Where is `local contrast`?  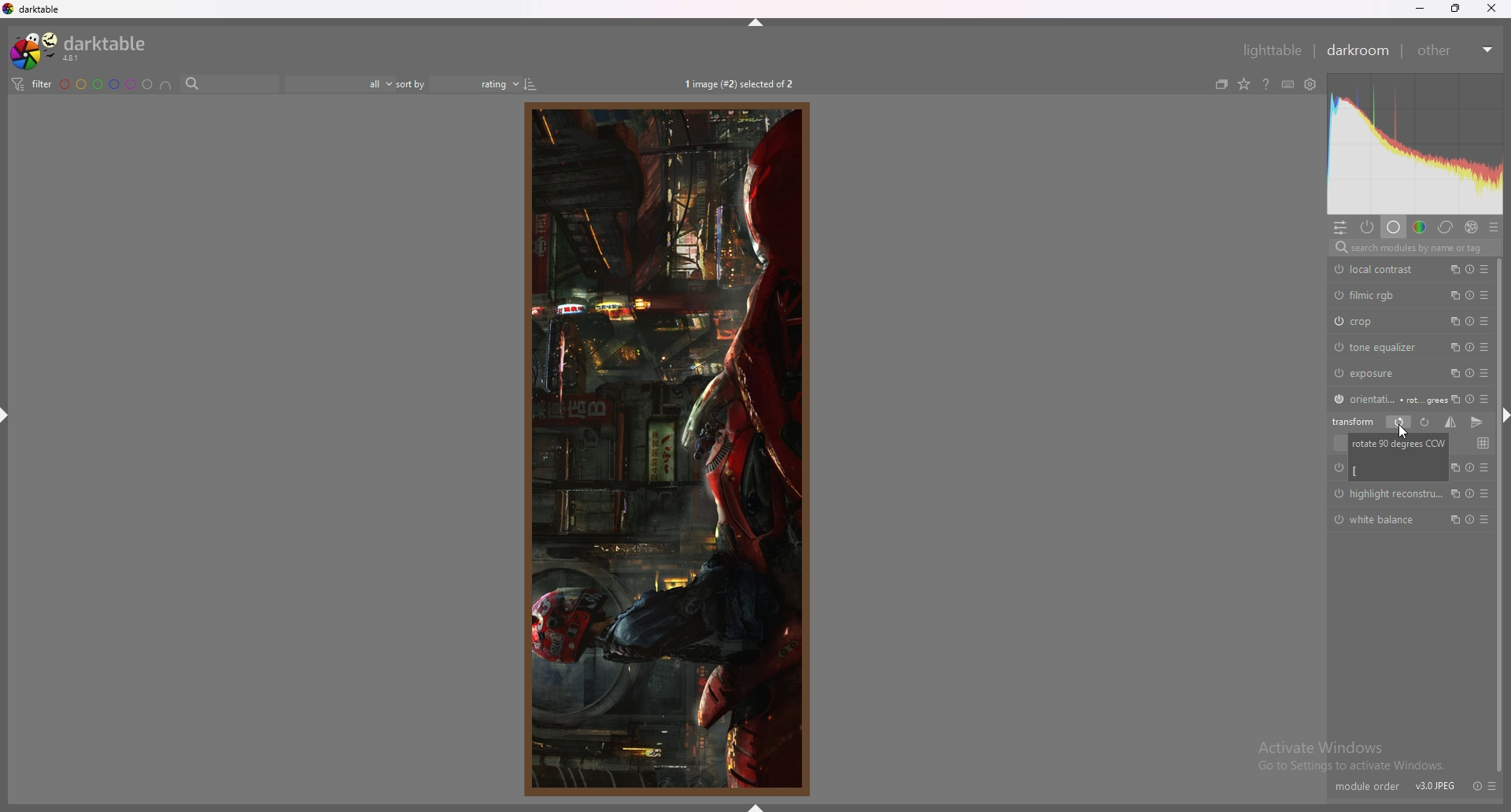
local contrast is located at coordinates (1377, 270).